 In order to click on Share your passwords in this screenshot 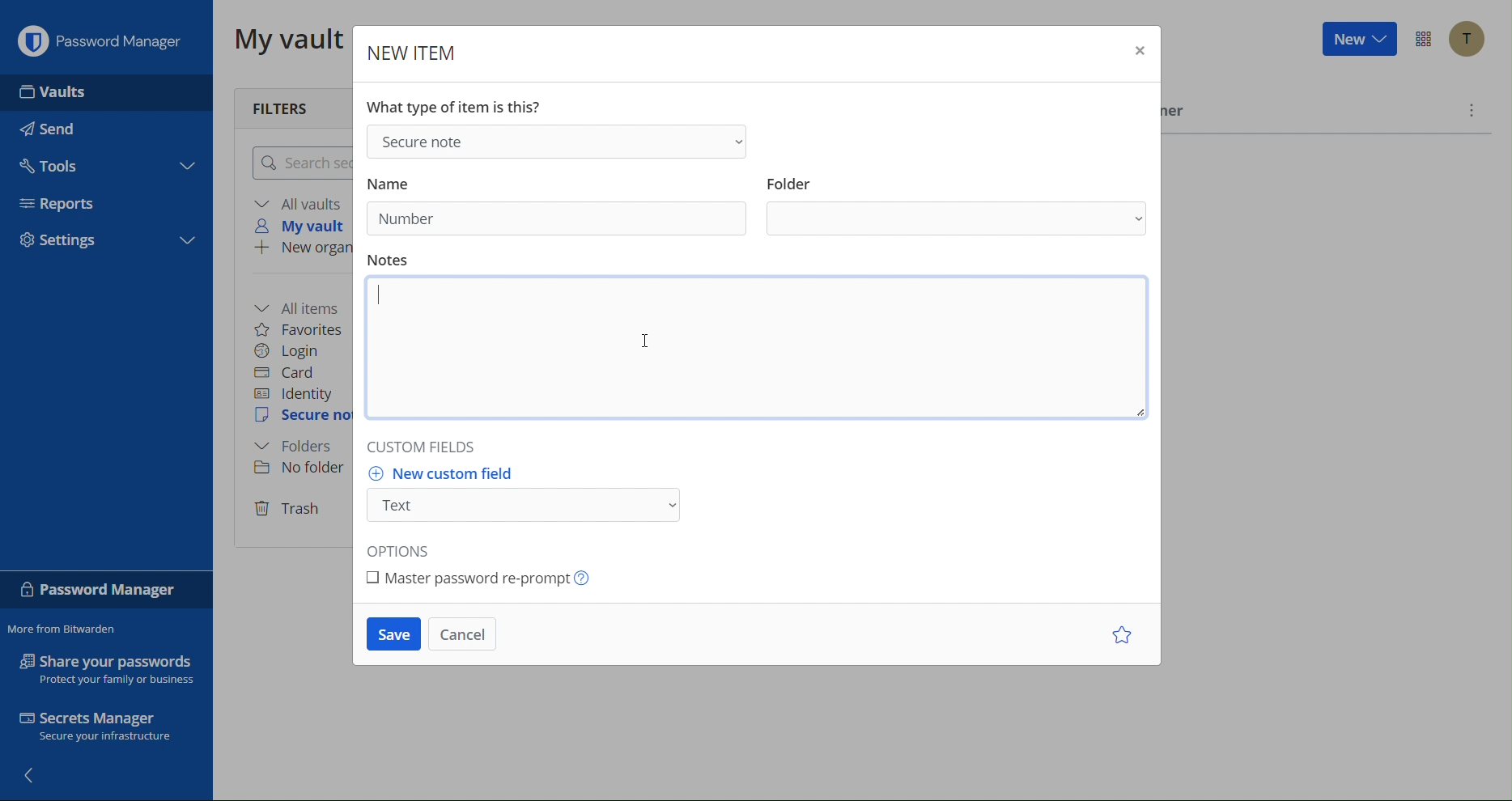, I will do `click(106, 668)`.